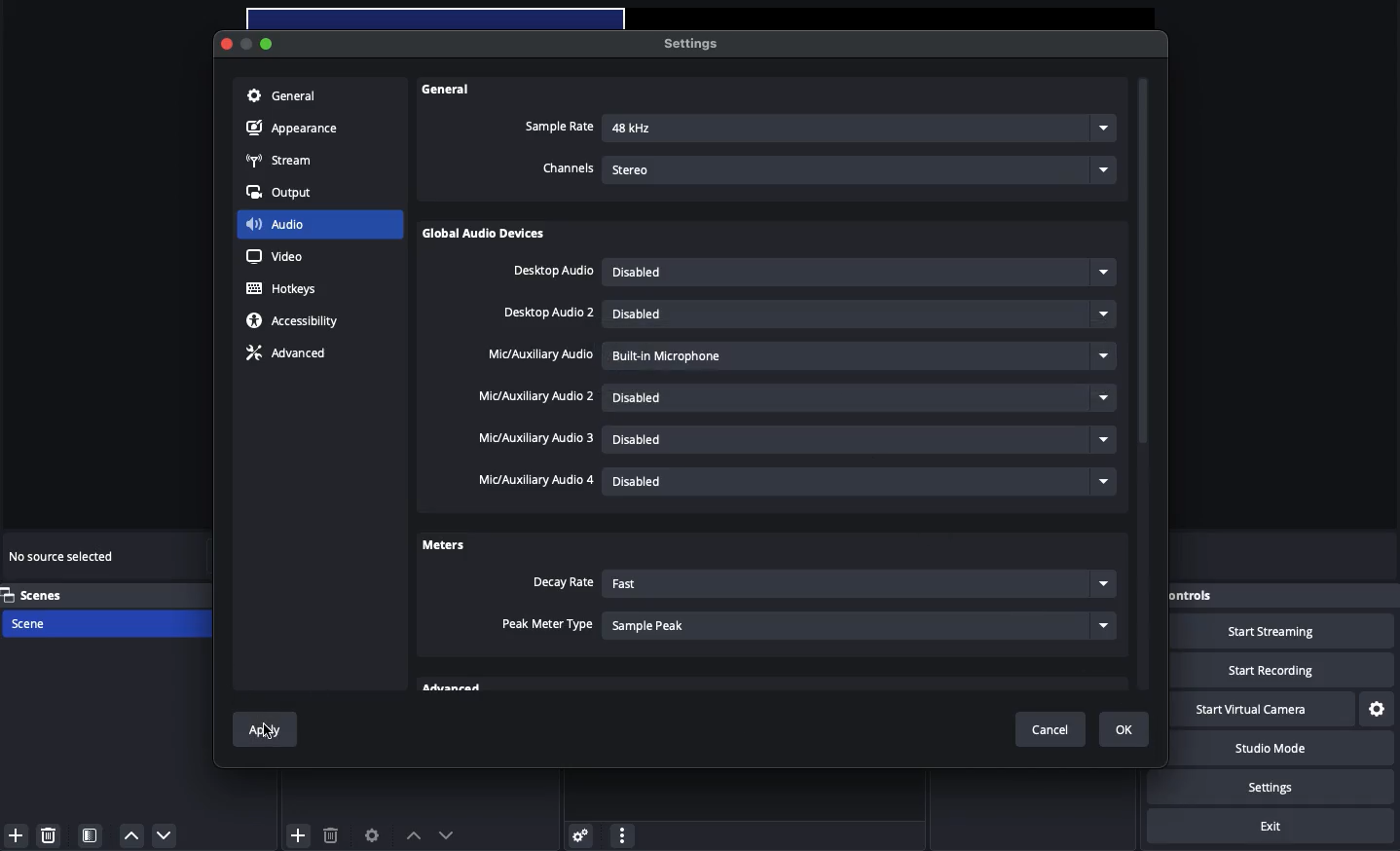  Describe the element at coordinates (370, 836) in the screenshot. I see `Source preferences` at that location.